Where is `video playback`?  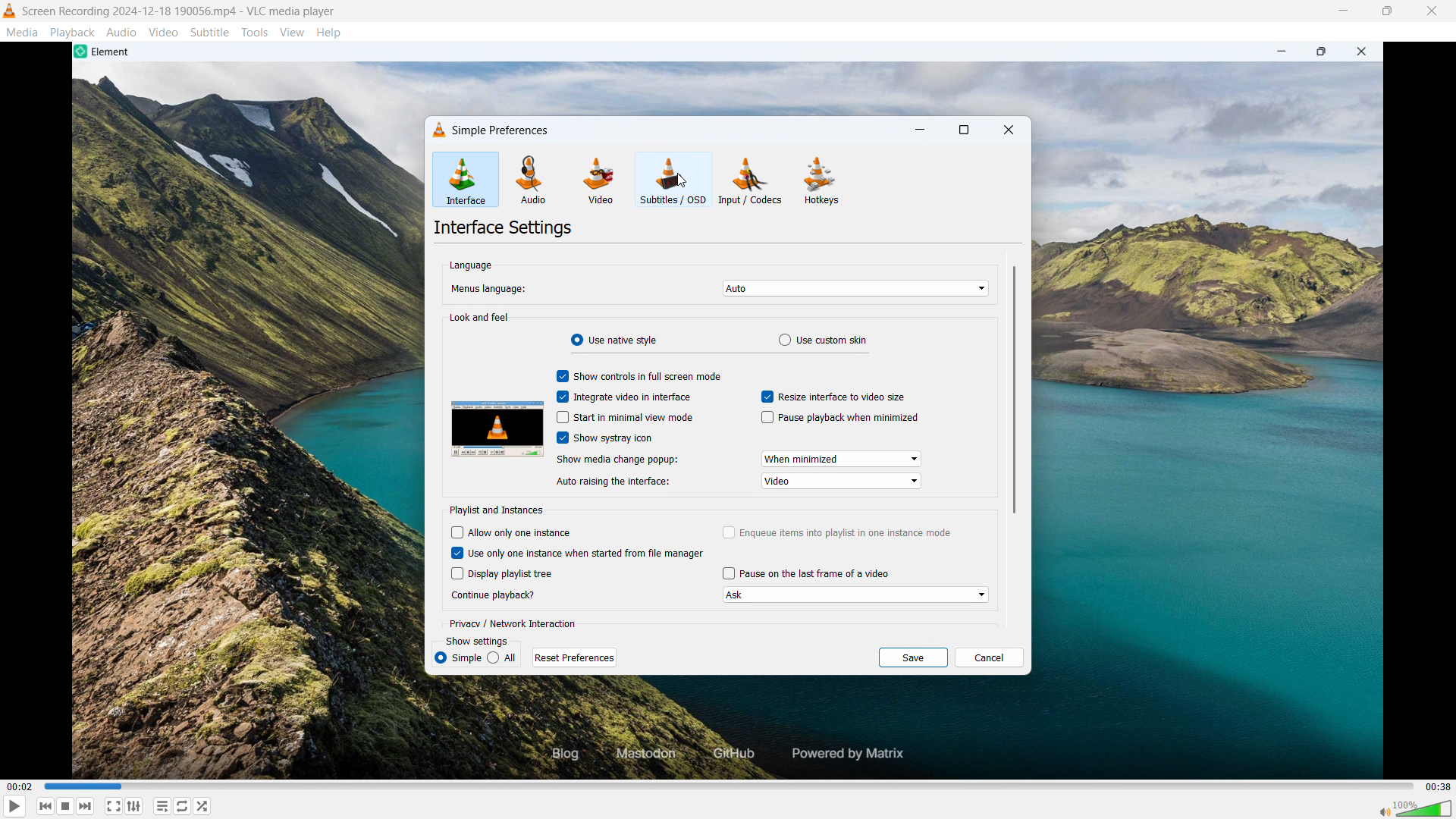 video playback is located at coordinates (735, 733).